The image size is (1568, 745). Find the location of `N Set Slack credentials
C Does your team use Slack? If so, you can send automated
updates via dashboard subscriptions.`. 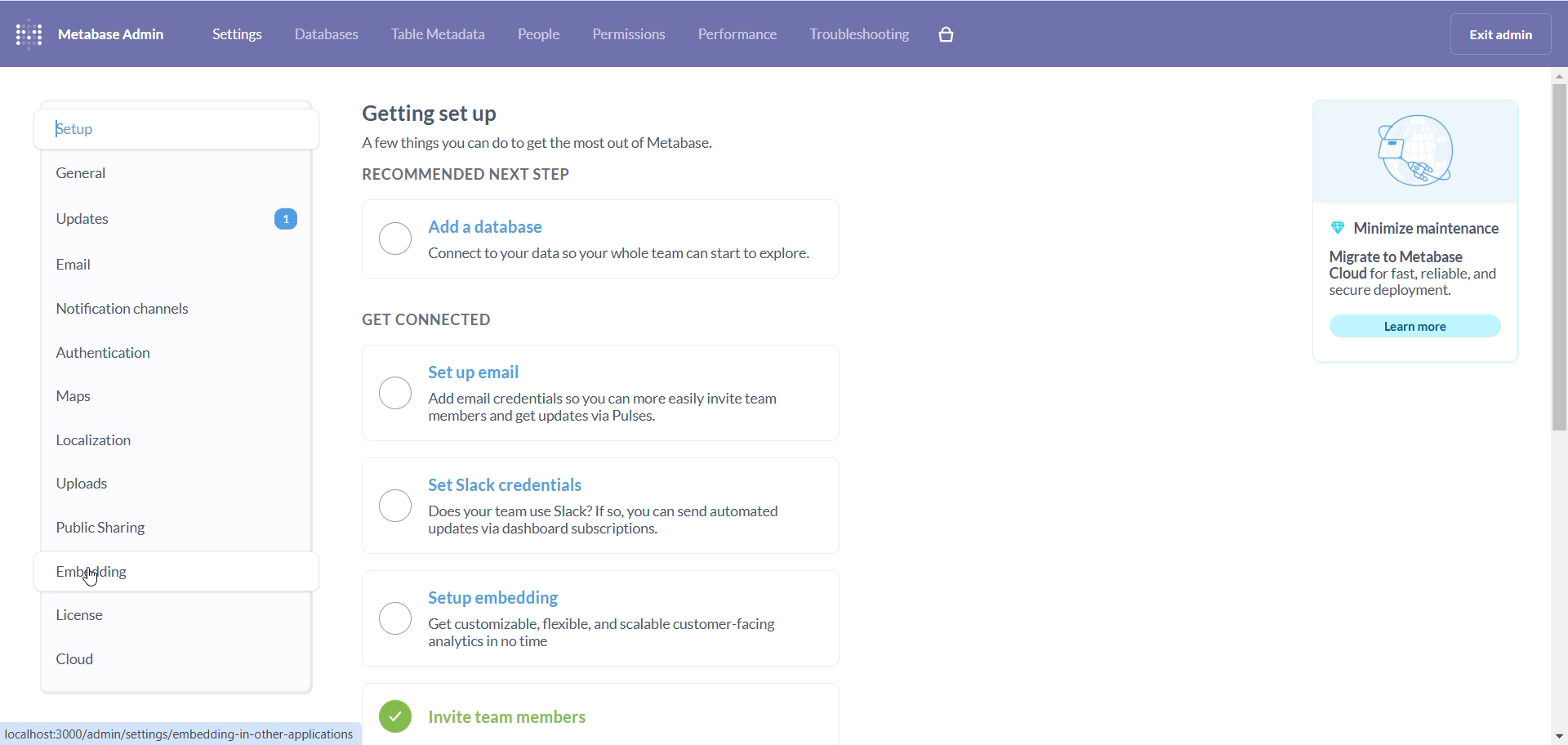

N Set Slack credentials
C Does your team use Slack? If so, you can send automated
updates via dashboard subscriptions. is located at coordinates (593, 507).